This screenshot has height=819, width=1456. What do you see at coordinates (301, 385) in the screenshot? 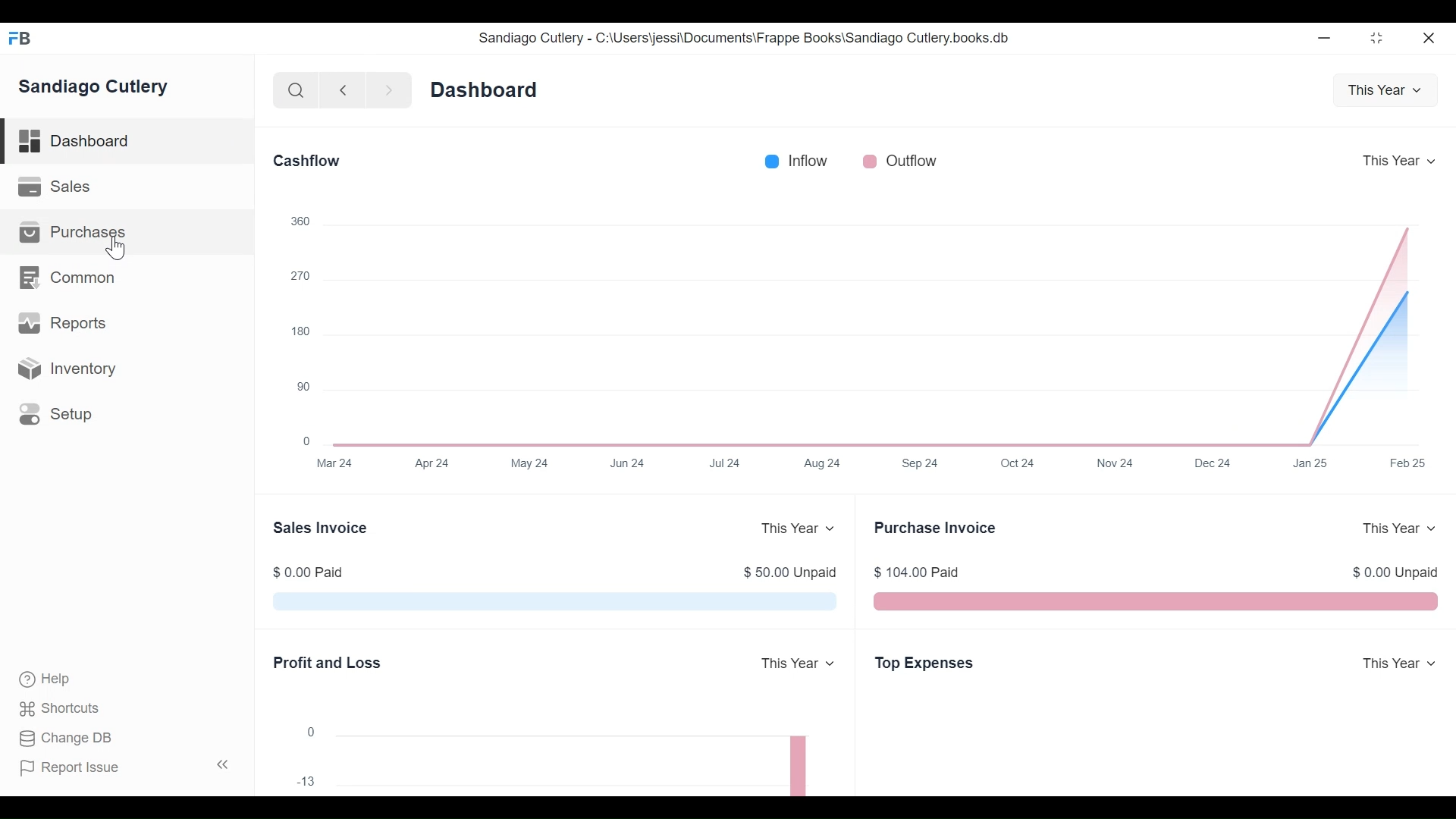
I see `90` at bounding box center [301, 385].